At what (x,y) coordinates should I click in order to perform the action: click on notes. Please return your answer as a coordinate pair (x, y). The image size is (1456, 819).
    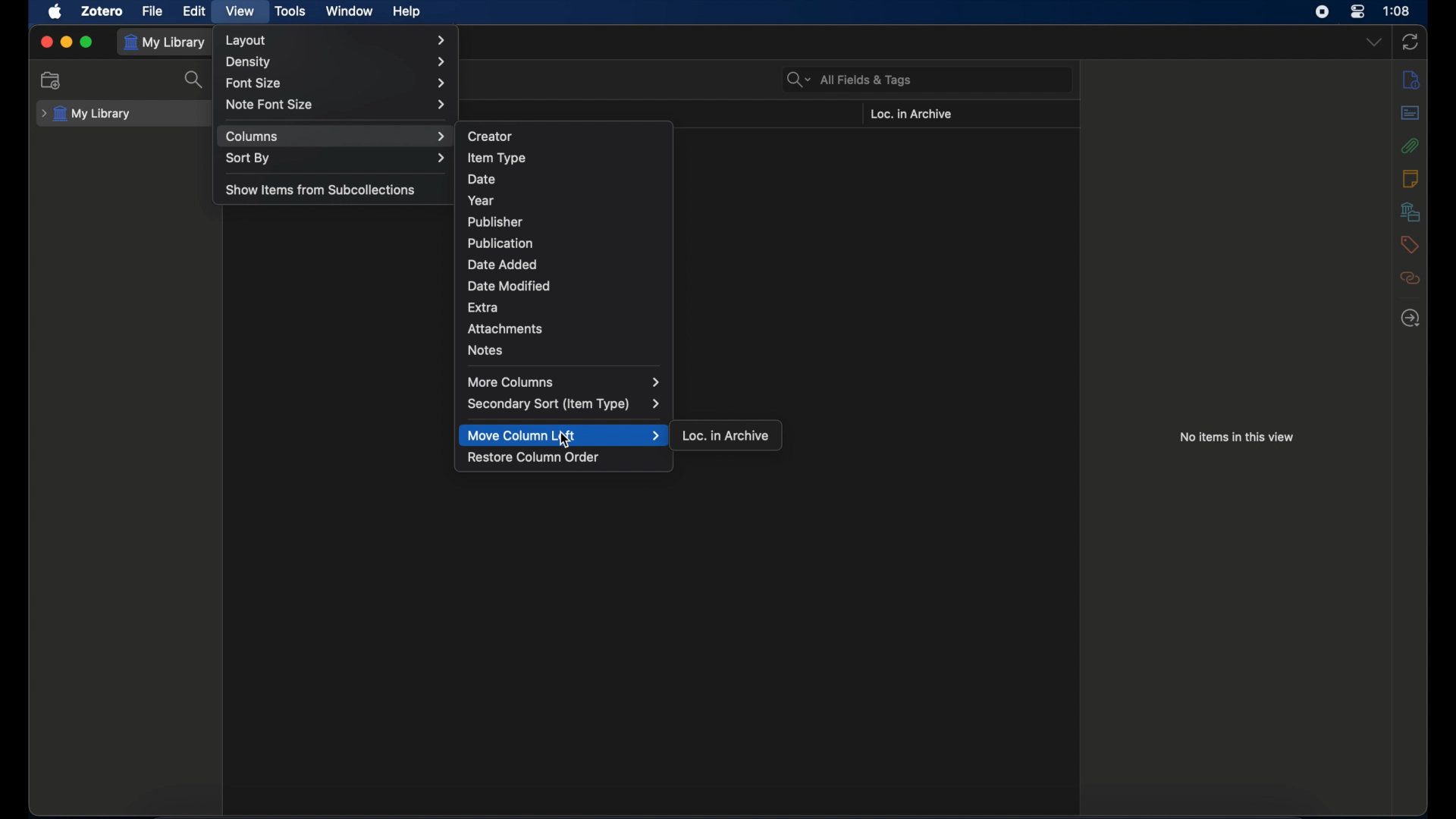
    Looking at the image, I should click on (486, 350).